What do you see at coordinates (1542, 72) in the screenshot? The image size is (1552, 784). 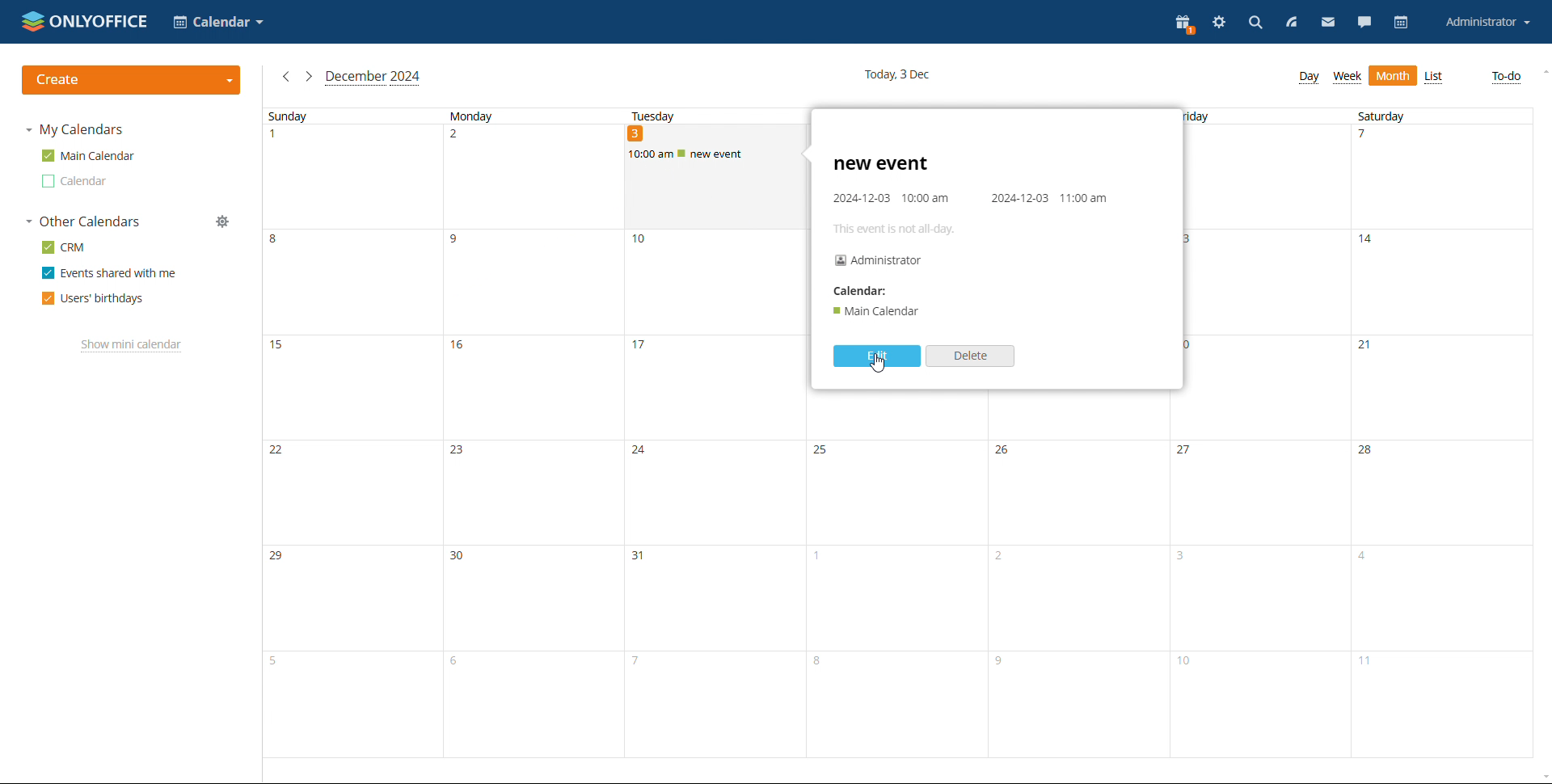 I see `scroll up` at bounding box center [1542, 72].